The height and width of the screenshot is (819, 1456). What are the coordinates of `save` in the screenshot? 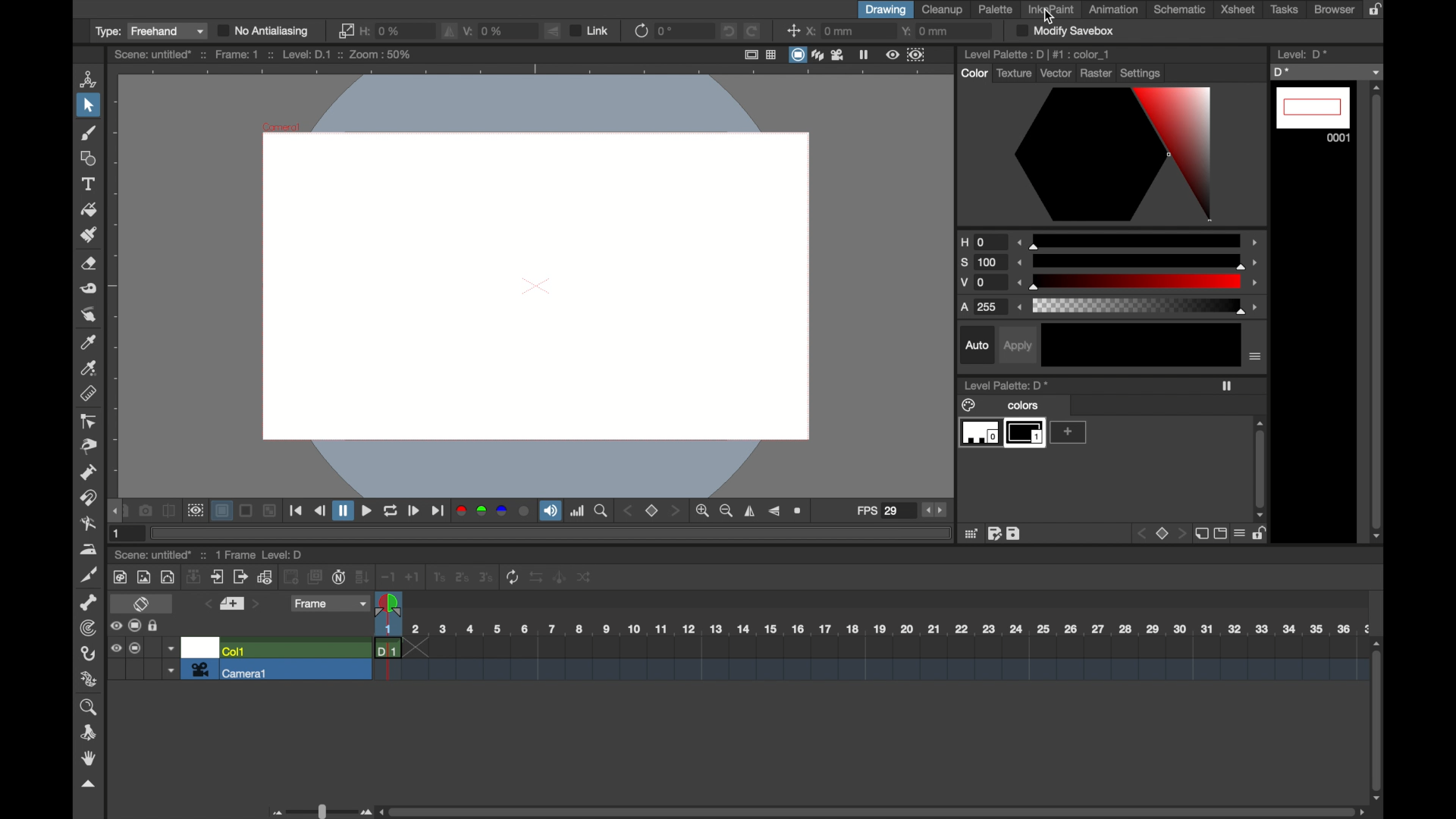 It's located at (1014, 534).